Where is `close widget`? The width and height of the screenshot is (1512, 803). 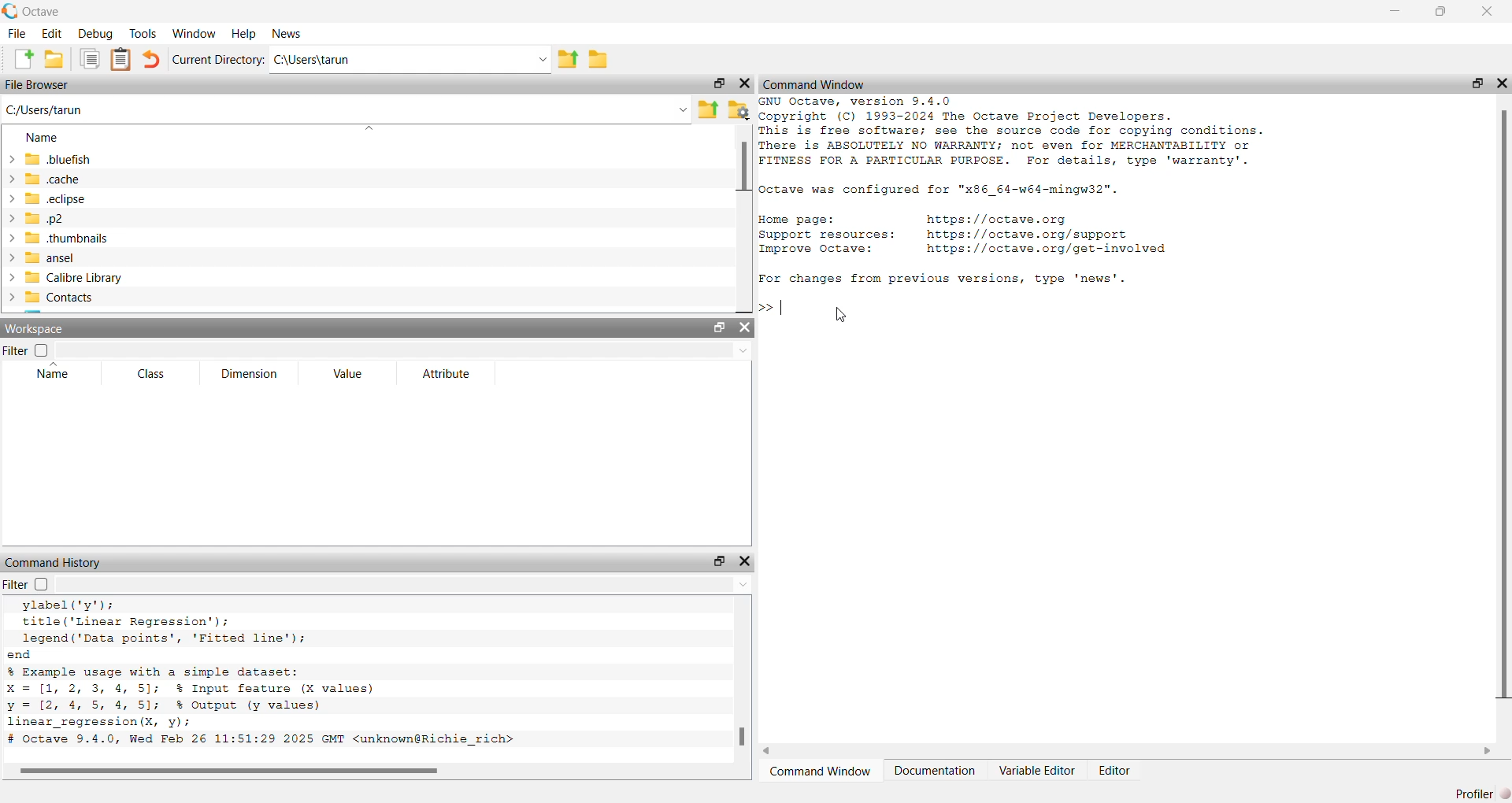 close widget is located at coordinates (745, 85).